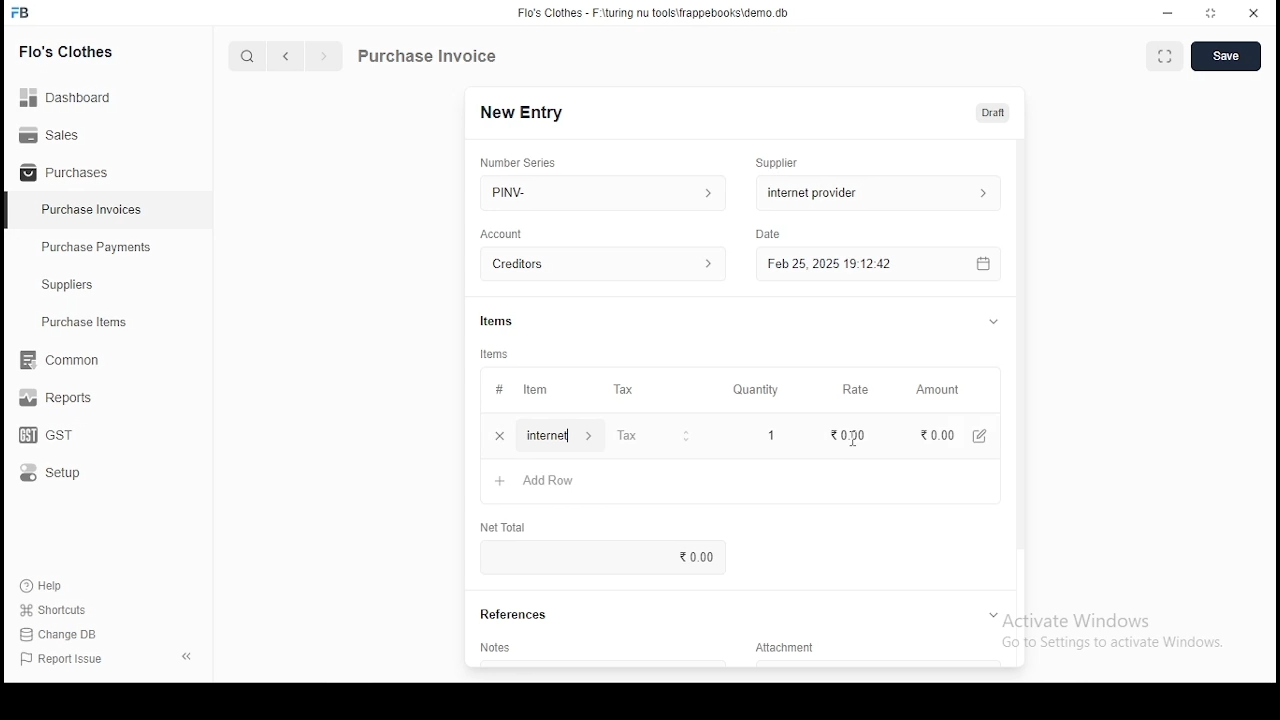 The image size is (1280, 720). What do you see at coordinates (498, 647) in the screenshot?
I see `notes` at bounding box center [498, 647].